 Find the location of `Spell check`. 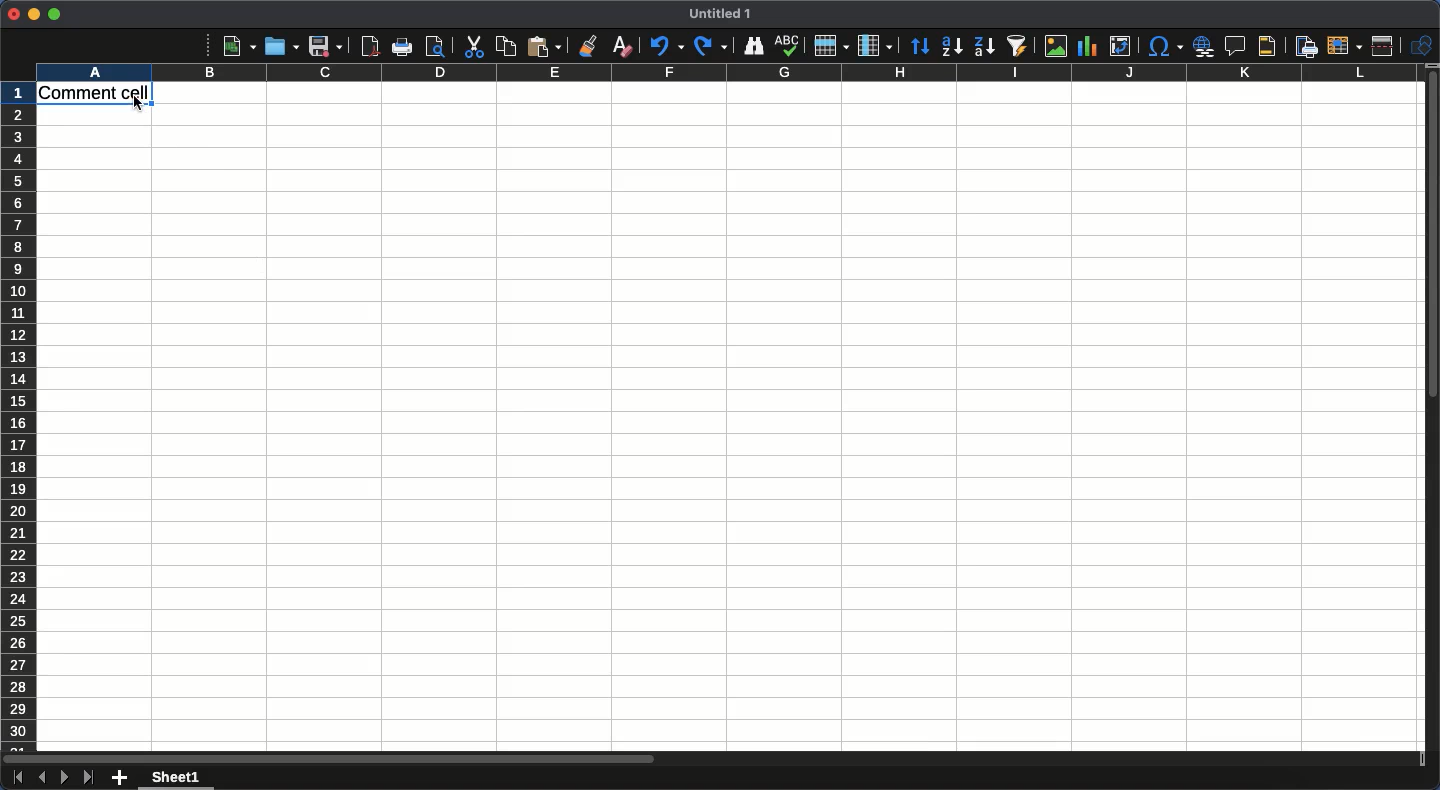

Spell check is located at coordinates (788, 46).